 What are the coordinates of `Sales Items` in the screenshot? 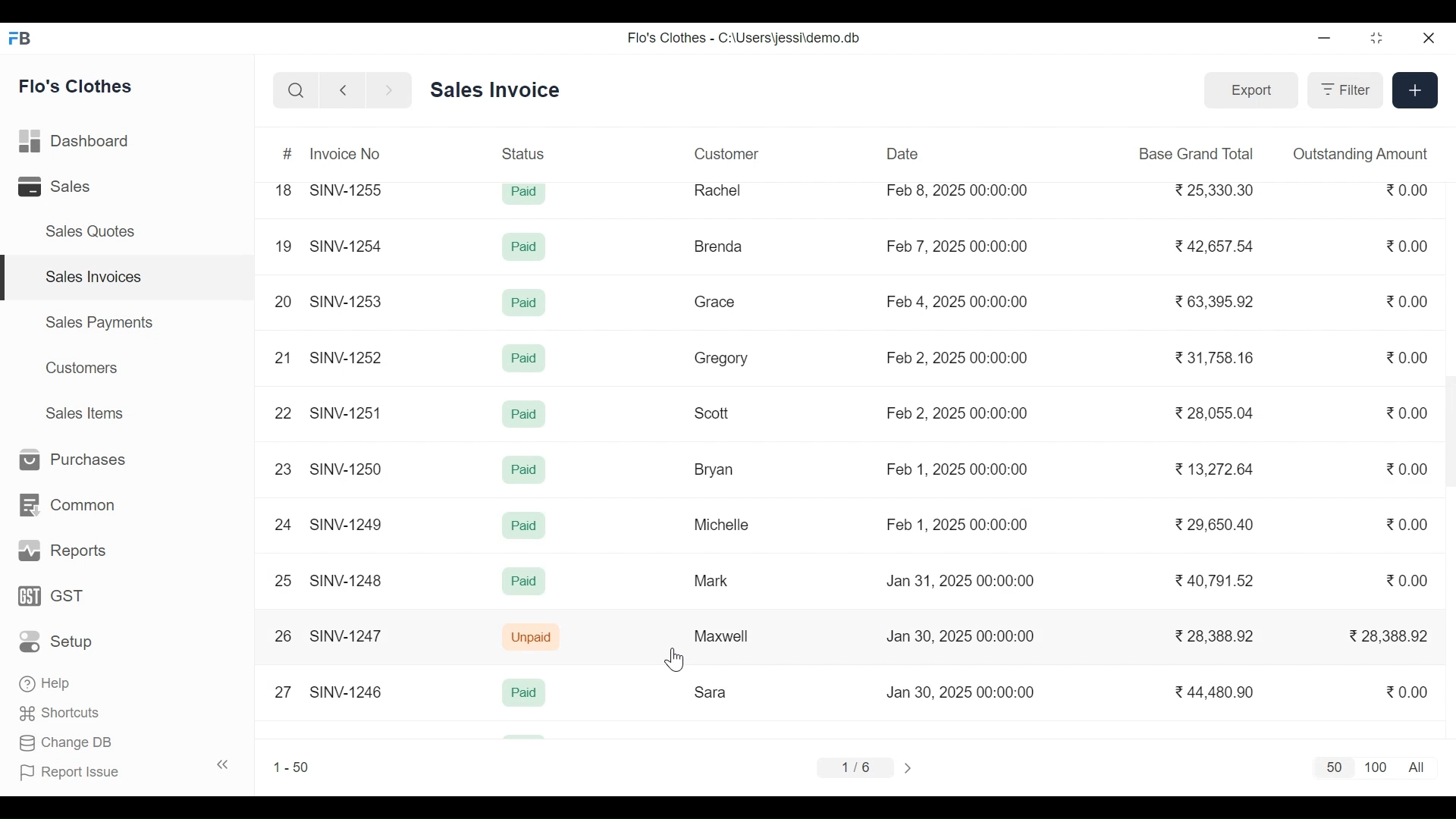 It's located at (83, 413).